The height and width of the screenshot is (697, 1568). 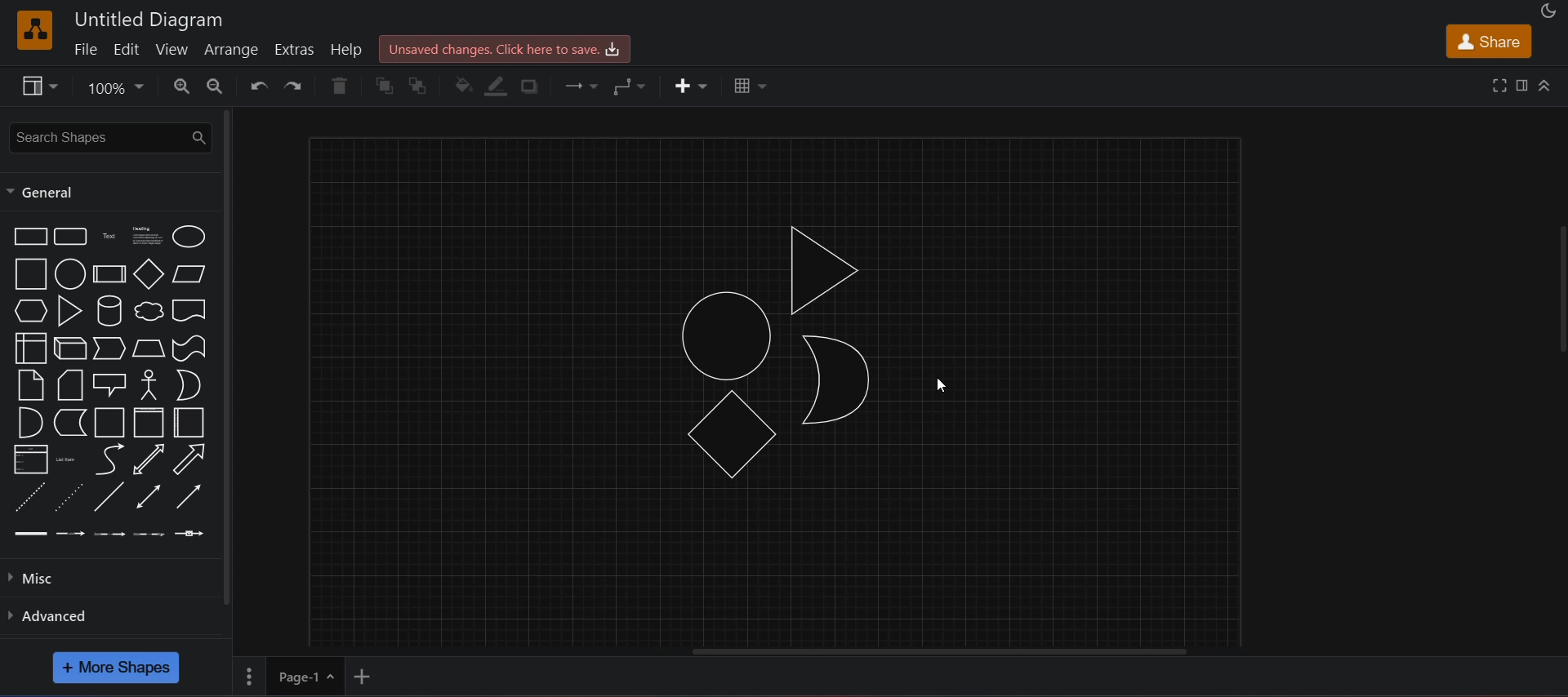 What do you see at coordinates (29, 458) in the screenshot?
I see `list` at bounding box center [29, 458].